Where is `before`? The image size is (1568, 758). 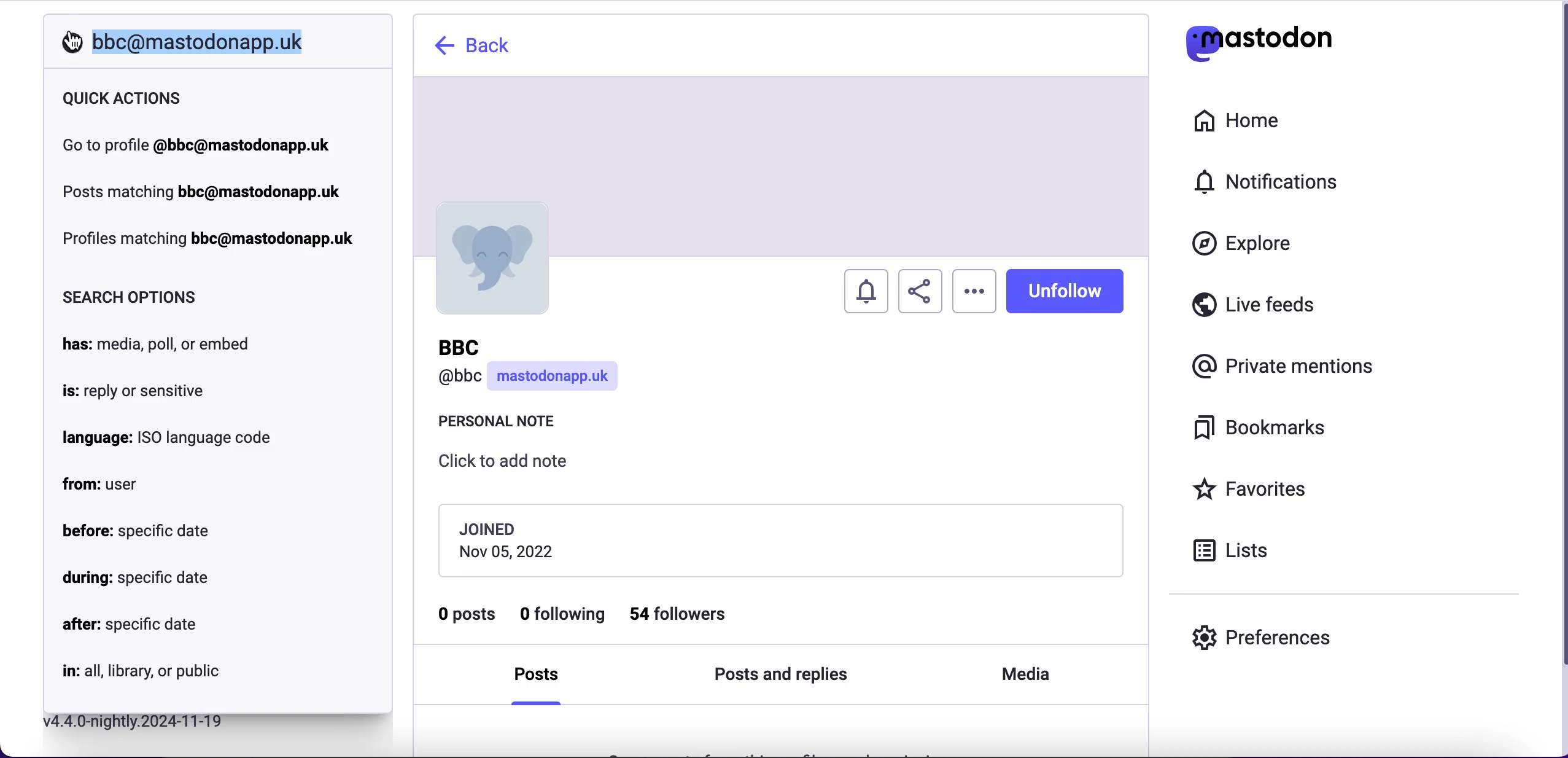 before is located at coordinates (136, 530).